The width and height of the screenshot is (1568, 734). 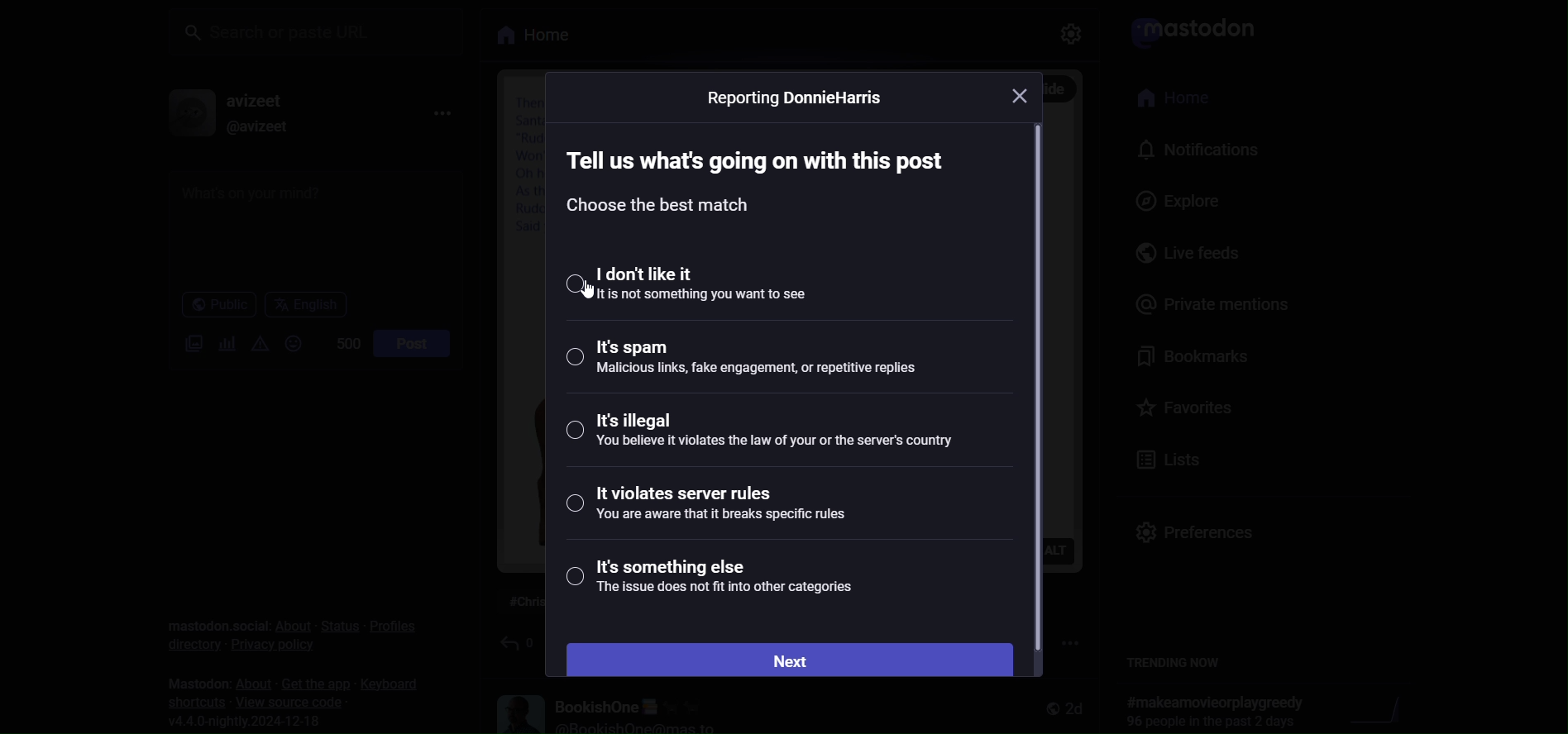 What do you see at coordinates (1210, 711) in the screenshot?
I see `#makeamovieorplaygreedy
Ply,` at bounding box center [1210, 711].